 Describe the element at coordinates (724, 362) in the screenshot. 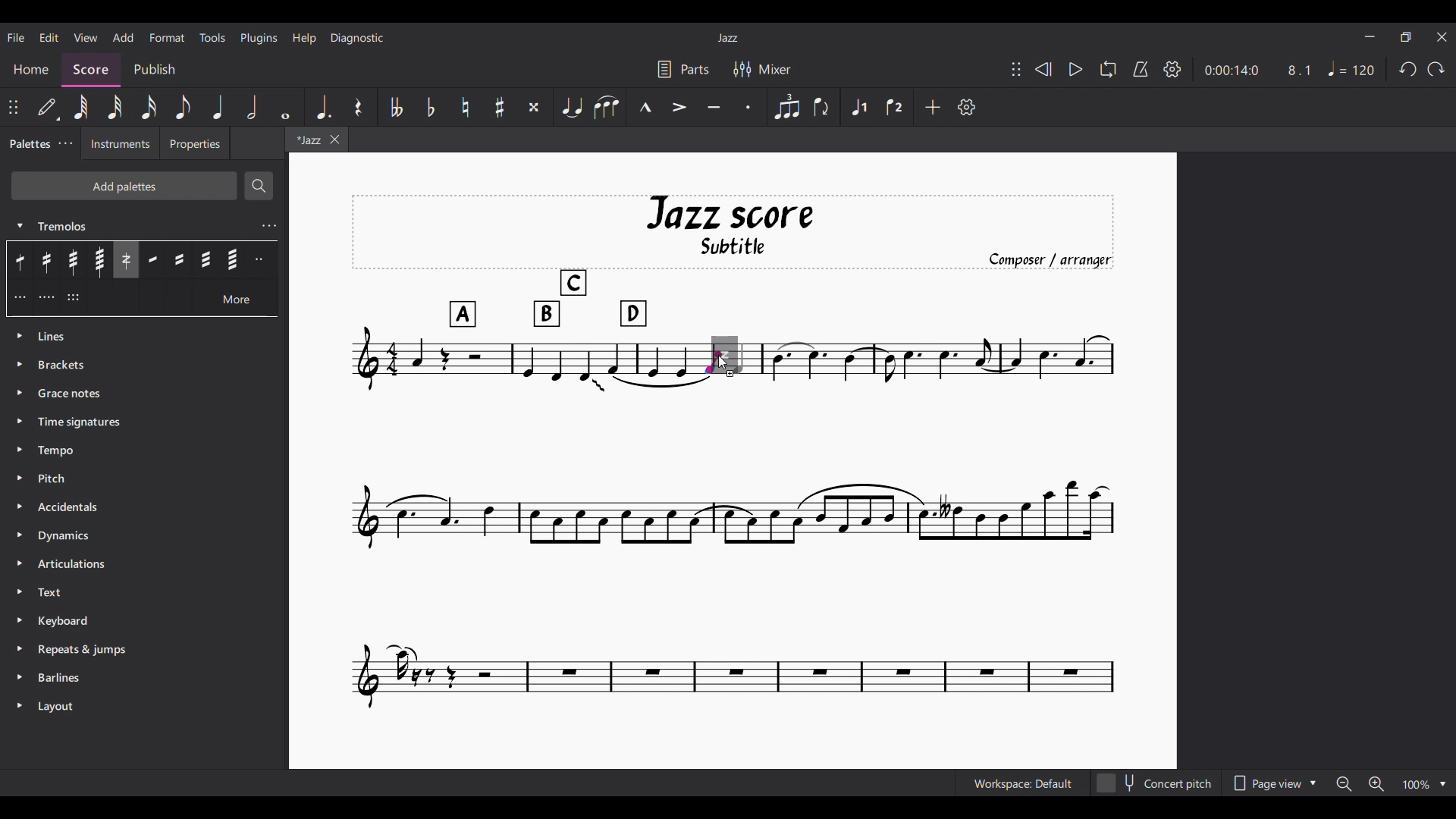

I see `Cursor` at that location.